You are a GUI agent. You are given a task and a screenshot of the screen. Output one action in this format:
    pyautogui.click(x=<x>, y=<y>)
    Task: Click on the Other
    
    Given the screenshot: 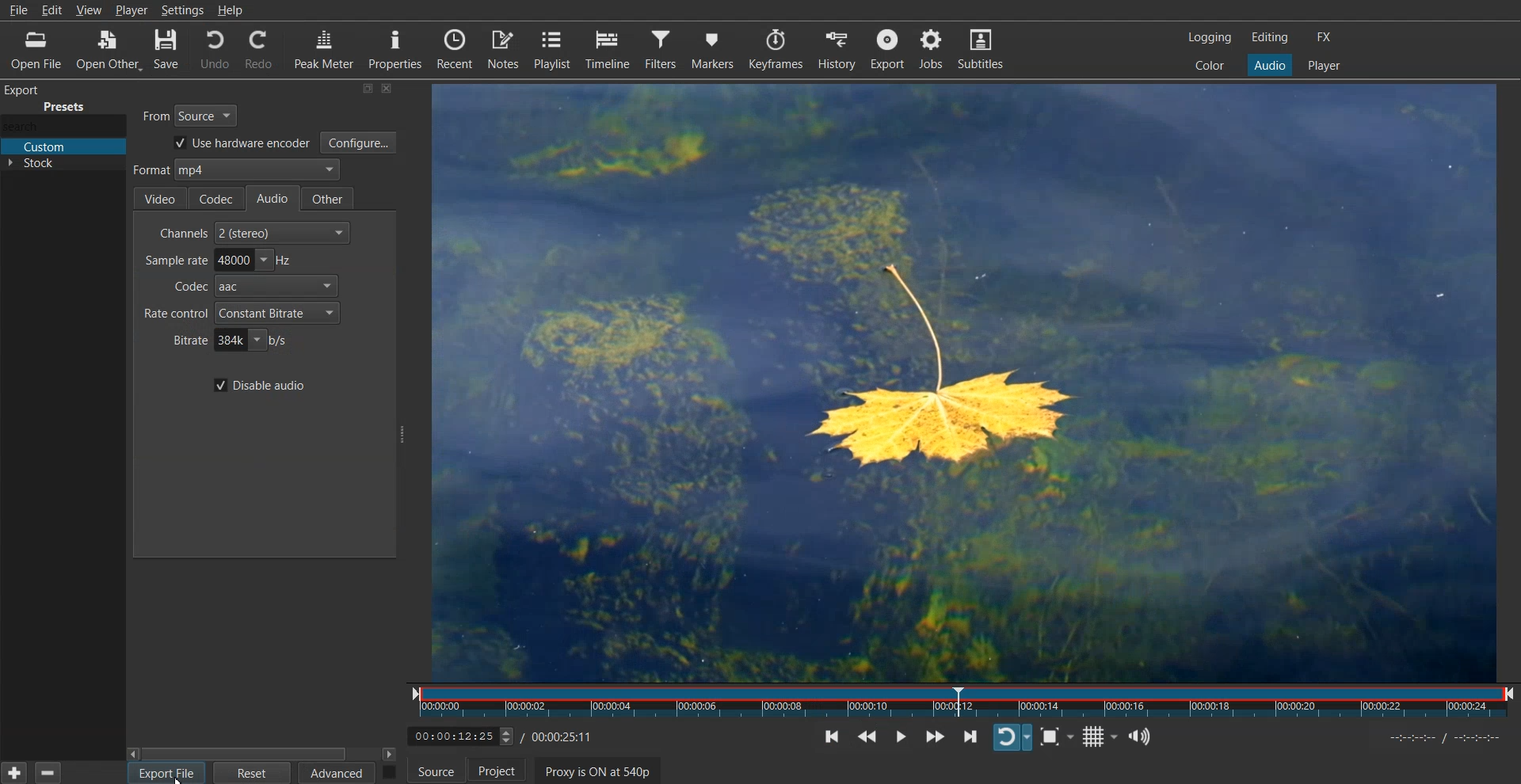 What is the action you would take?
    pyautogui.click(x=330, y=198)
    